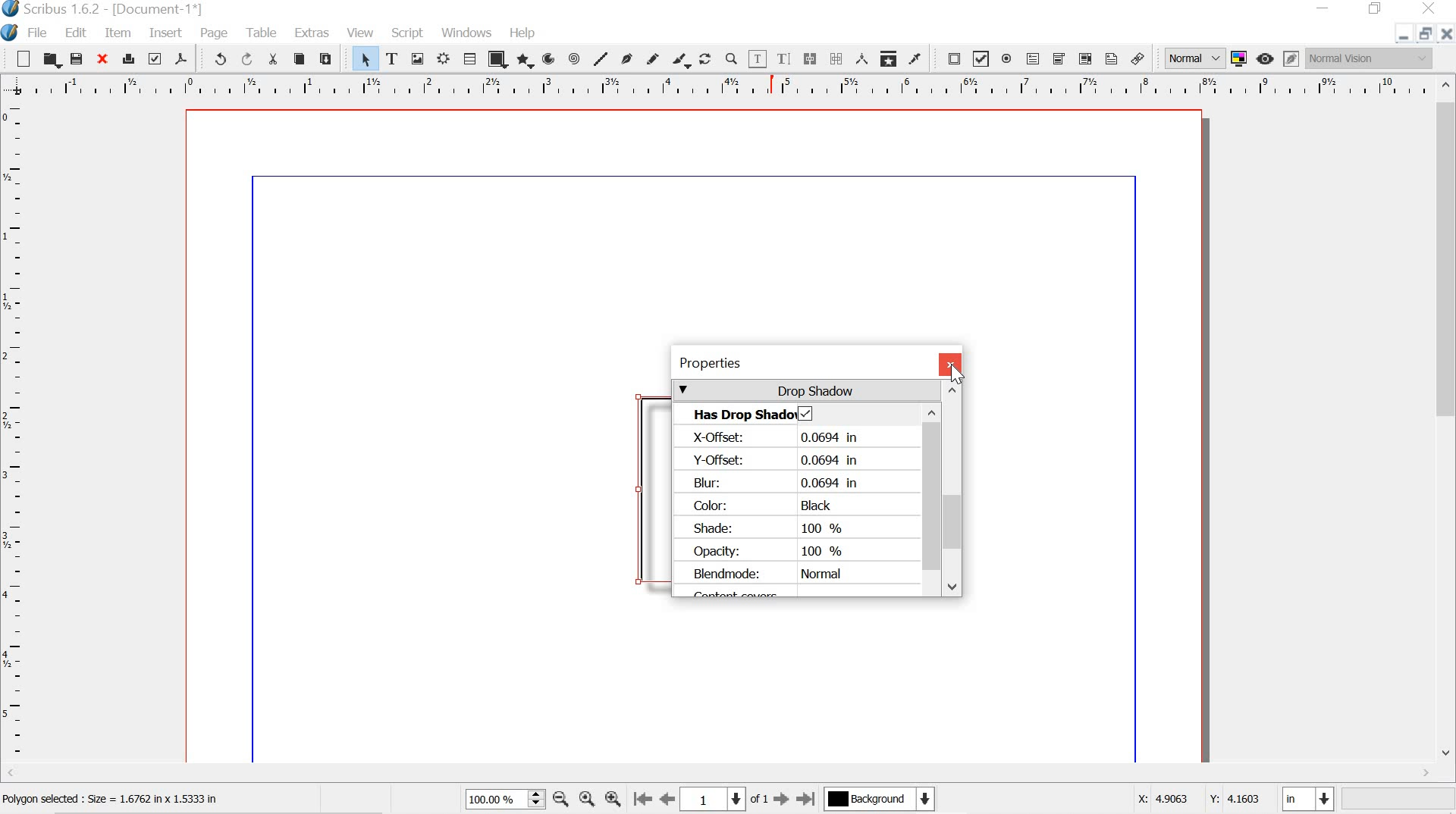  Describe the element at coordinates (311, 34) in the screenshot. I see `EXTRAS` at that location.